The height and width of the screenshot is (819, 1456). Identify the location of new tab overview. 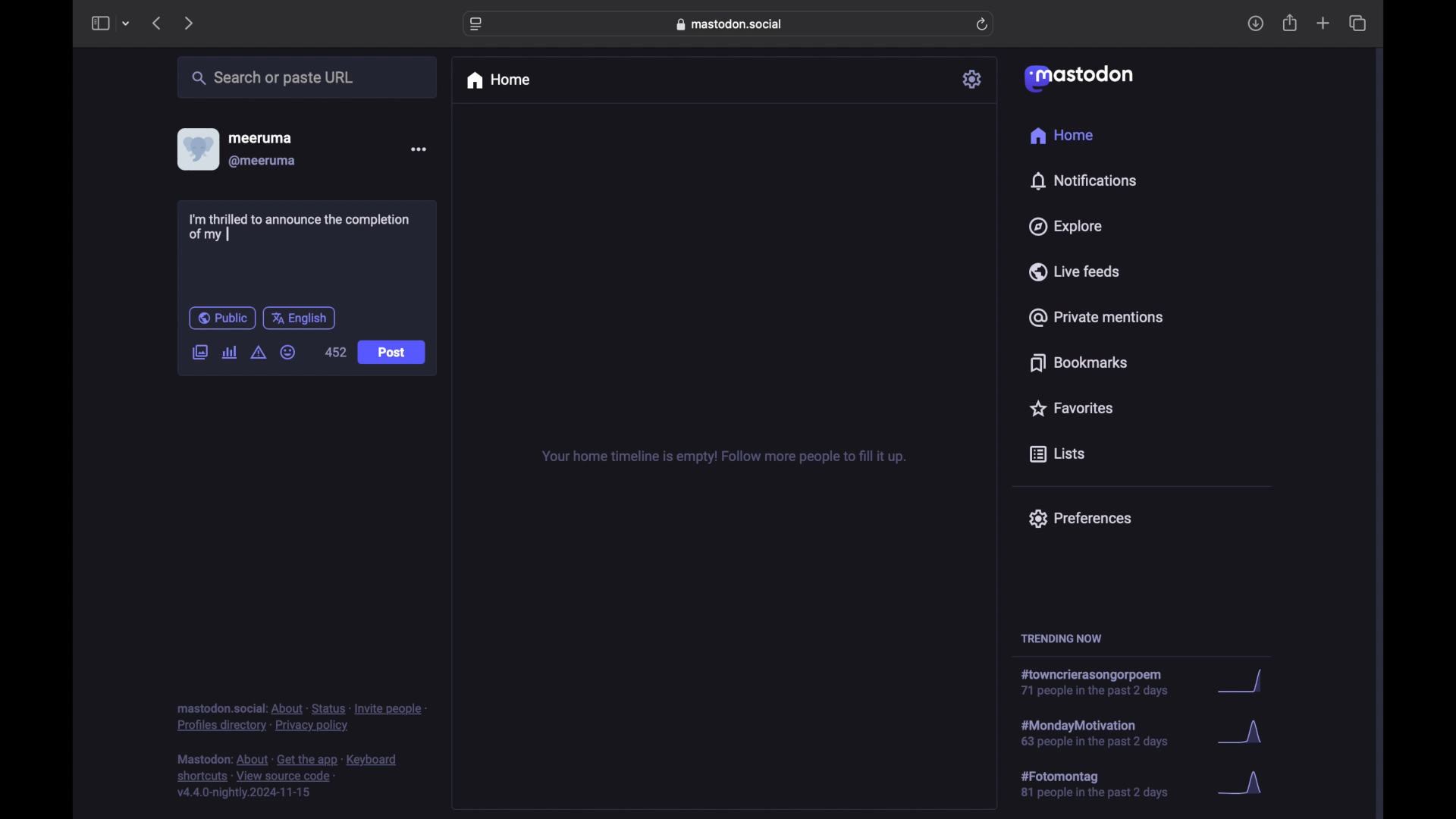
(1323, 23).